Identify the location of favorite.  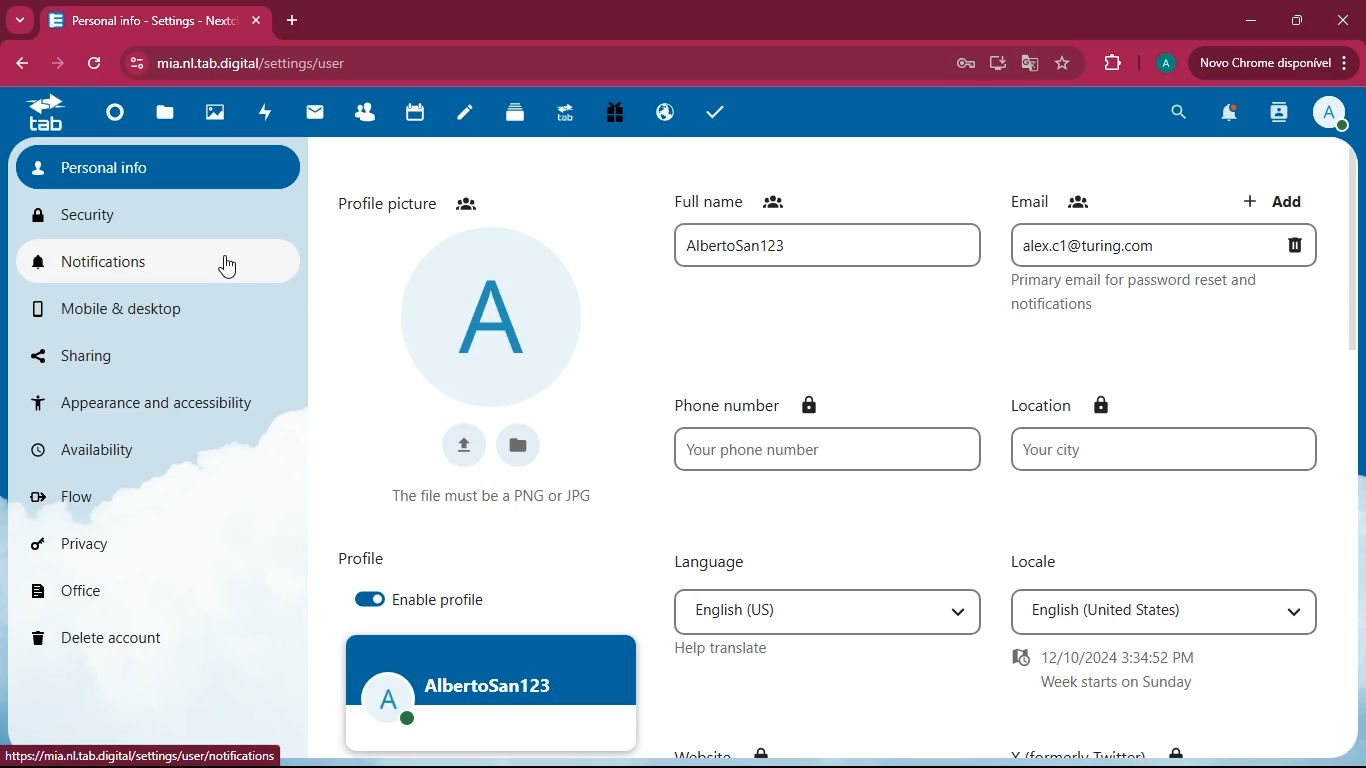
(1064, 64).